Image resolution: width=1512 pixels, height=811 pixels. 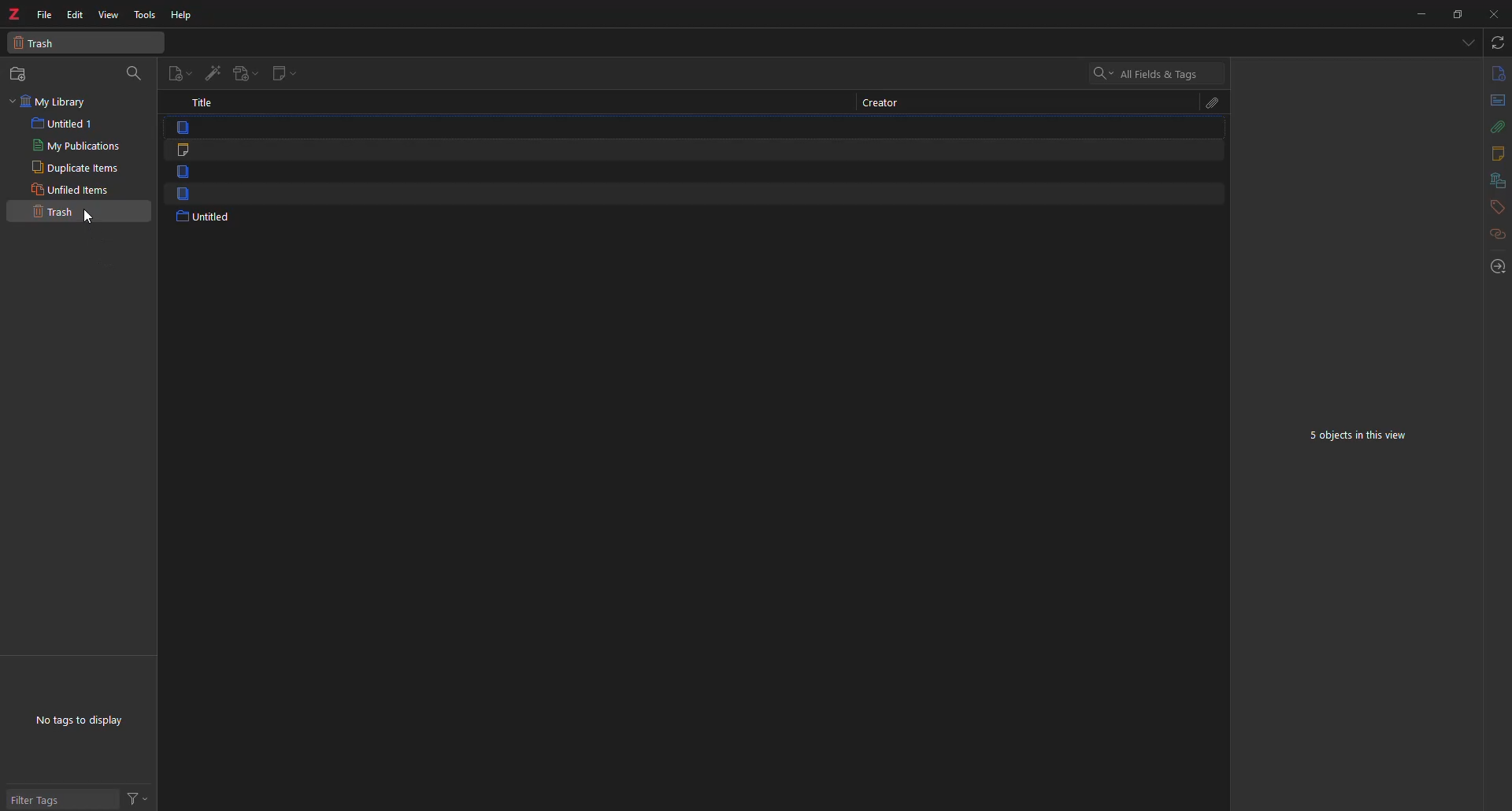 I want to click on 5 objects, so click(x=1361, y=434).